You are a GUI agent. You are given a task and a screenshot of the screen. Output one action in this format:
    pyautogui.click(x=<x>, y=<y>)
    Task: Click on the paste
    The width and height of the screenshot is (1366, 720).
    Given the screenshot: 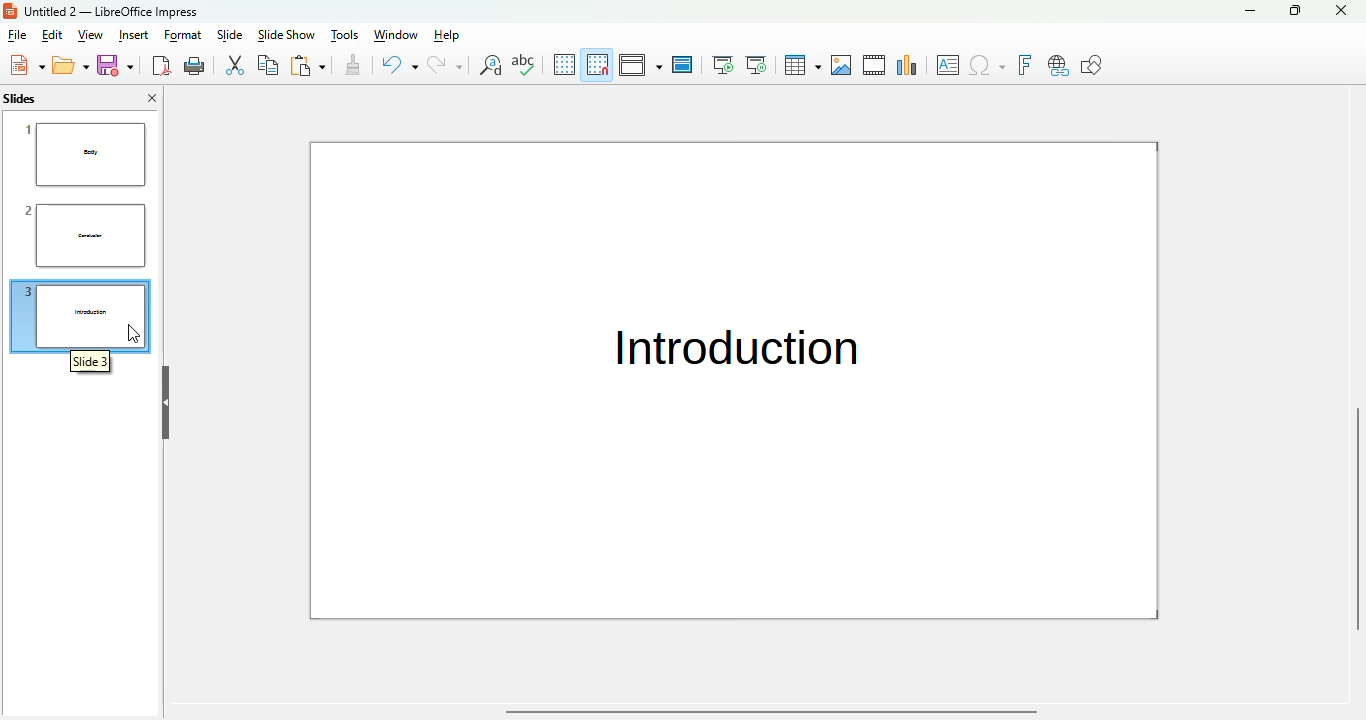 What is the action you would take?
    pyautogui.click(x=307, y=65)
    